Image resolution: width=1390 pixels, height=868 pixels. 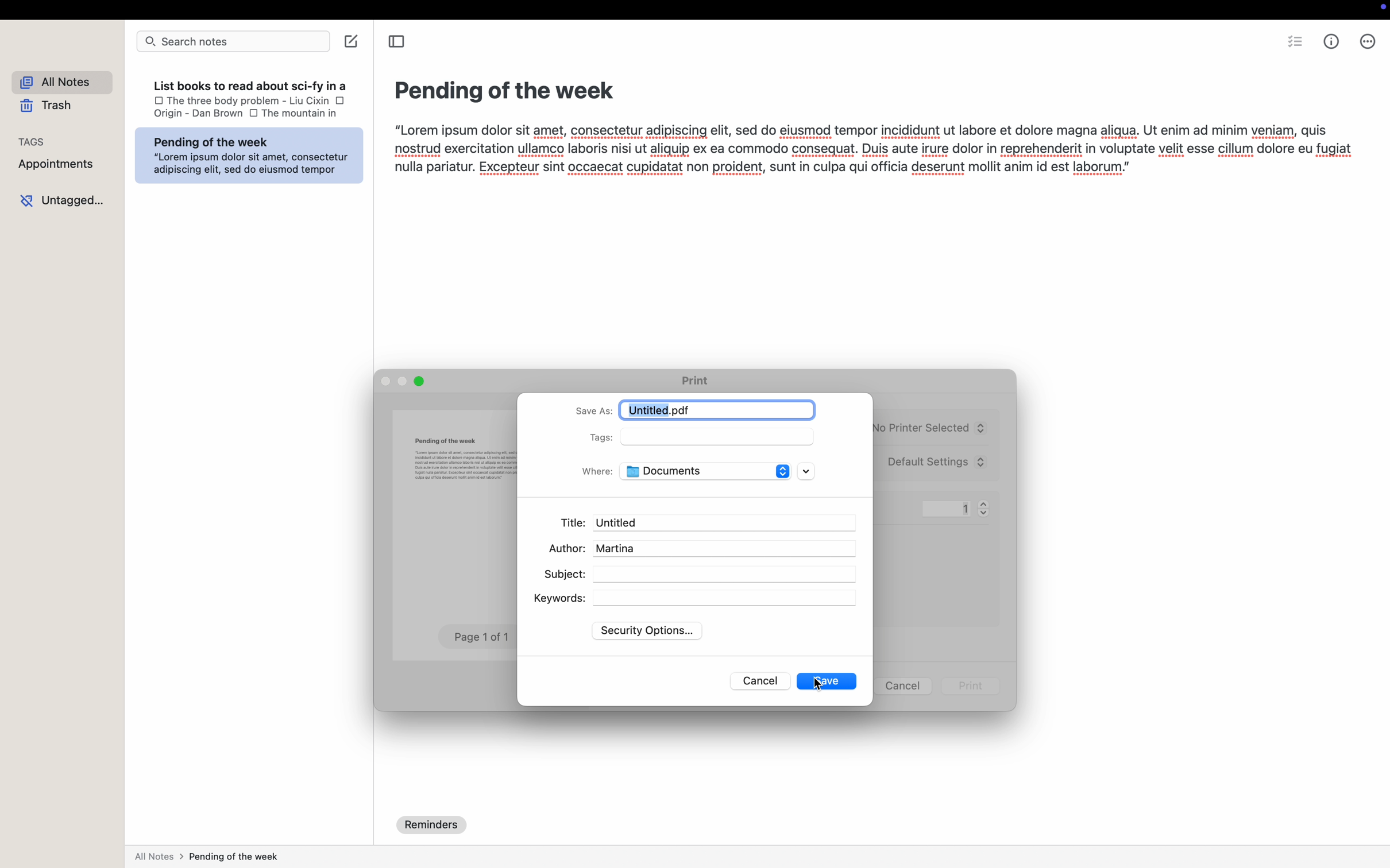 What do you see at coordinates (352, 43) in the screenshot?
I see `create note` at bounding box center [352, 43].